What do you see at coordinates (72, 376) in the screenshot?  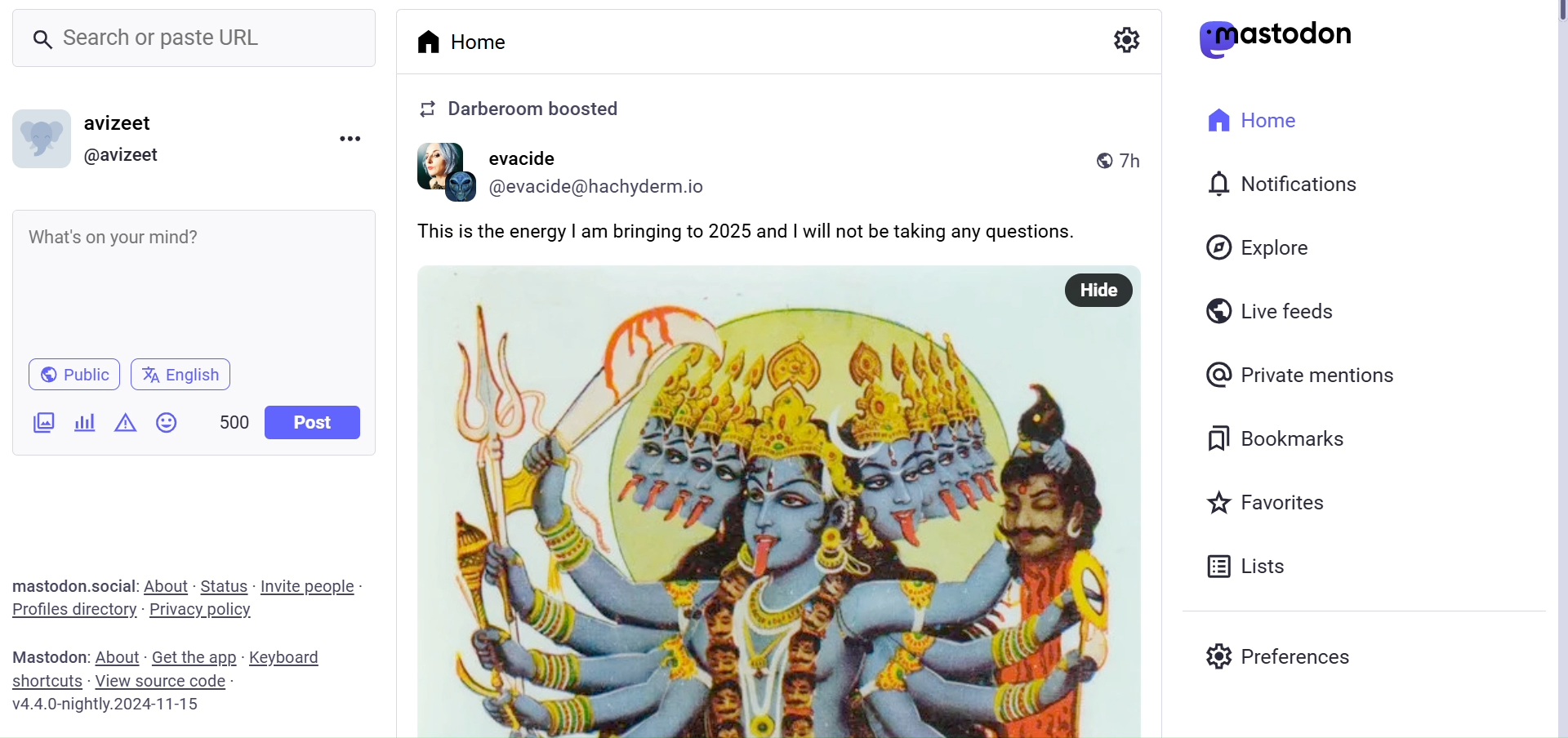 I see `Public` at bounding box center [72, 376].